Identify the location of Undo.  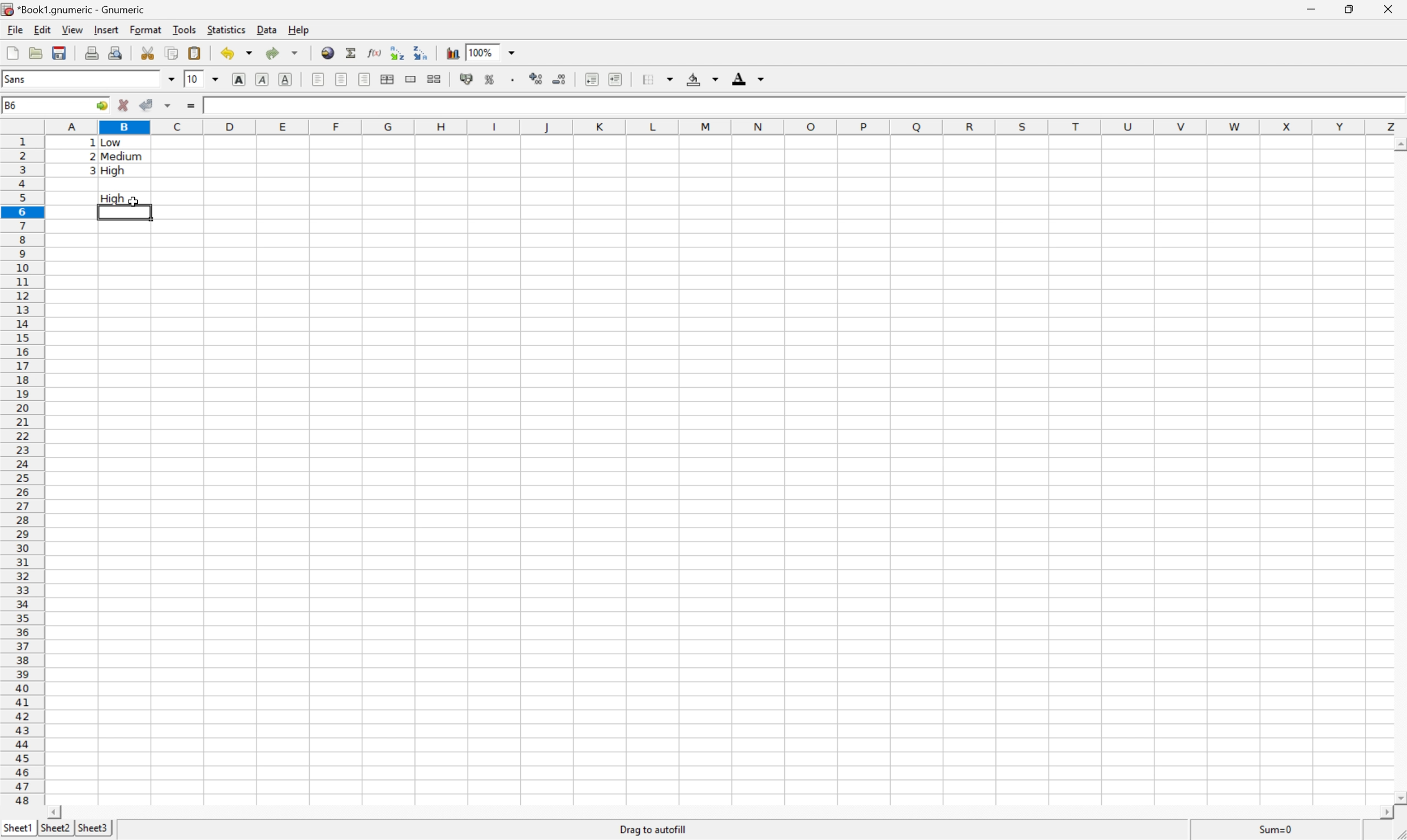
(232, 53).